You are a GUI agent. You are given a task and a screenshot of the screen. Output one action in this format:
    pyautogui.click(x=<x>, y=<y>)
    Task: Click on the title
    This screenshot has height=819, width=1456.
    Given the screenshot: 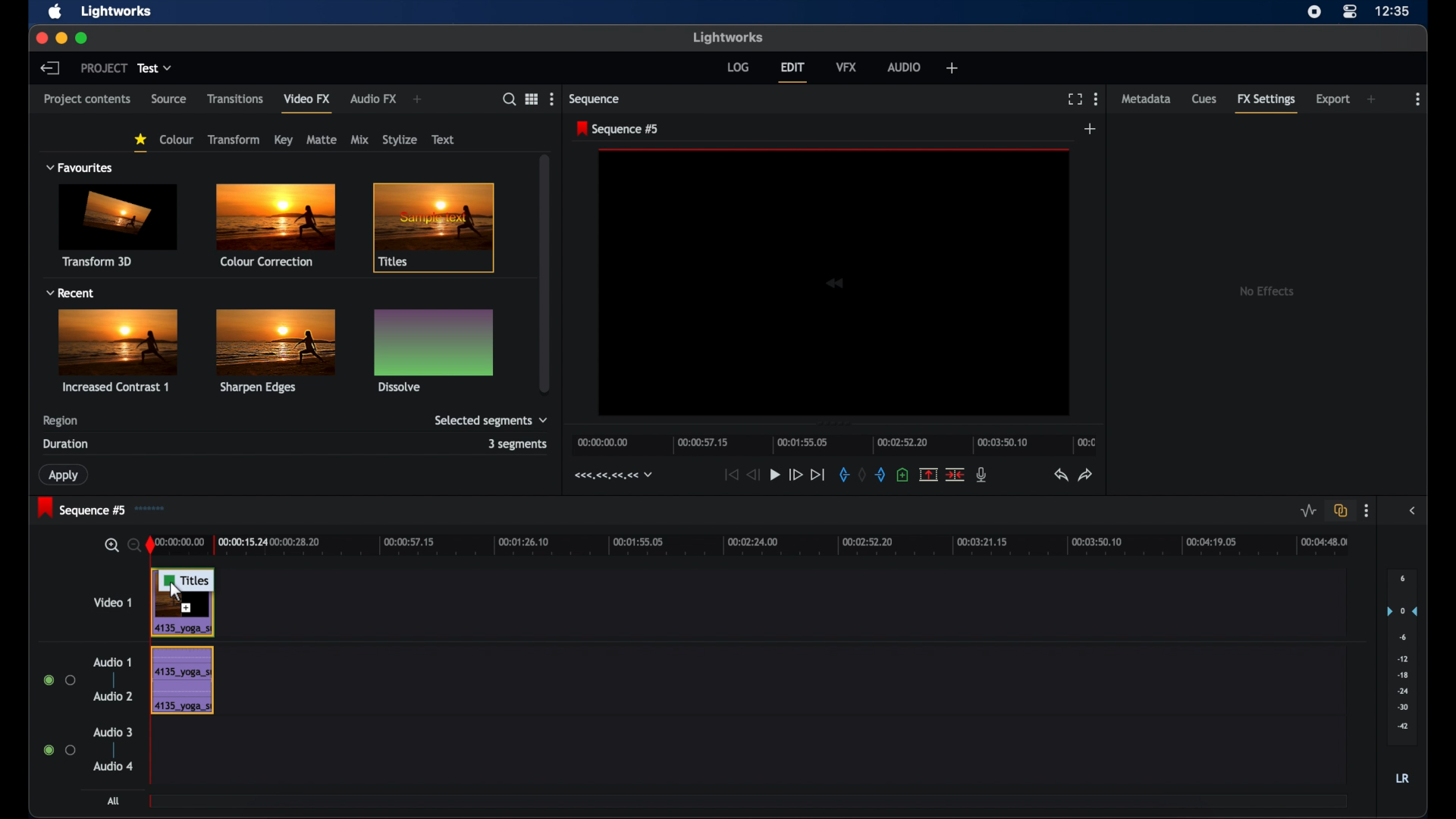 What is the action you would take?
    pyautogui.click(x=438, y=229)
    